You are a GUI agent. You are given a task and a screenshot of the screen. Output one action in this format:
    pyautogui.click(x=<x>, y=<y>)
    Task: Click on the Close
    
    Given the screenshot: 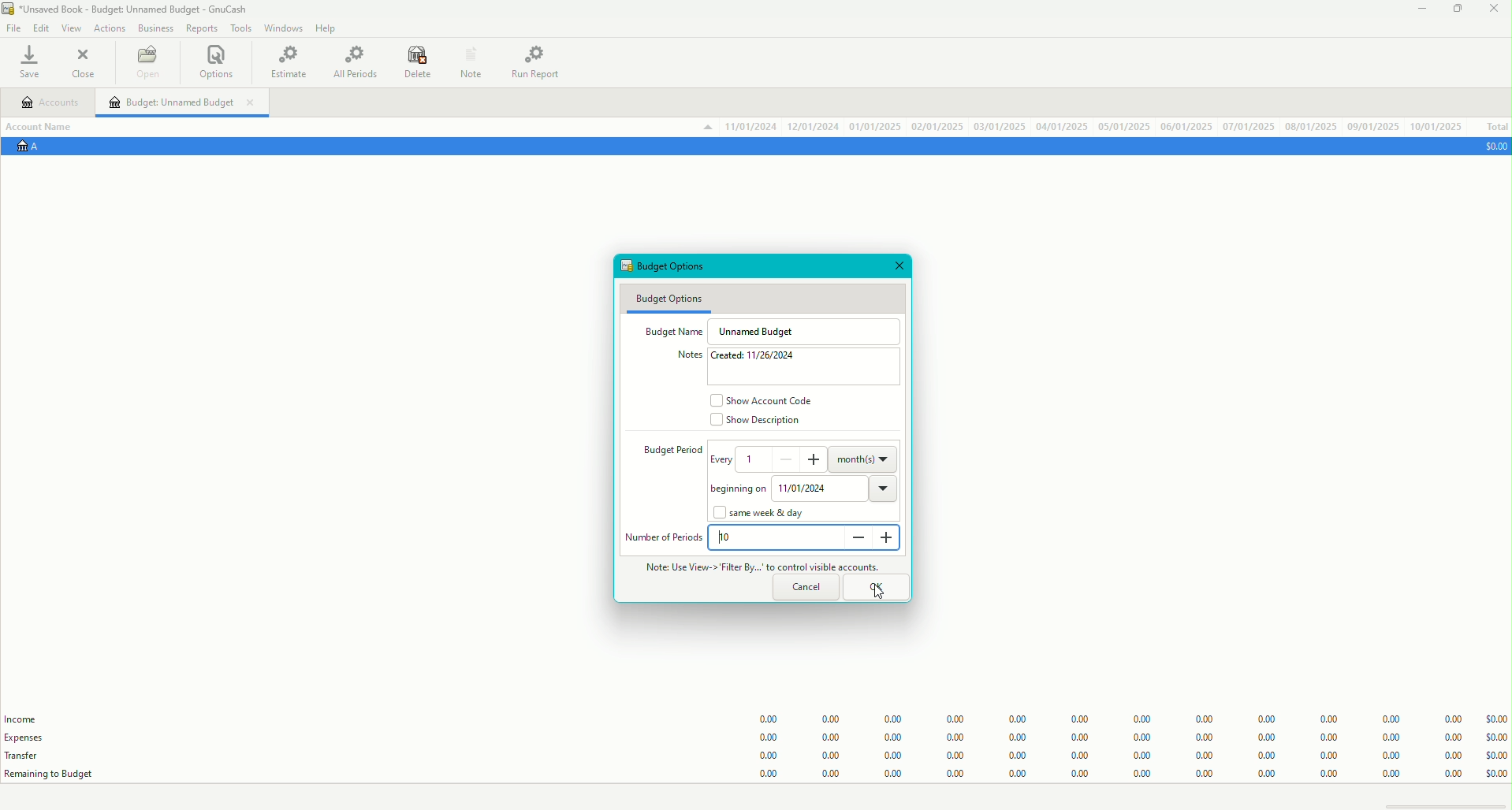 What is the action you would take?
    pyautogui.click(x=899, y=267)
    